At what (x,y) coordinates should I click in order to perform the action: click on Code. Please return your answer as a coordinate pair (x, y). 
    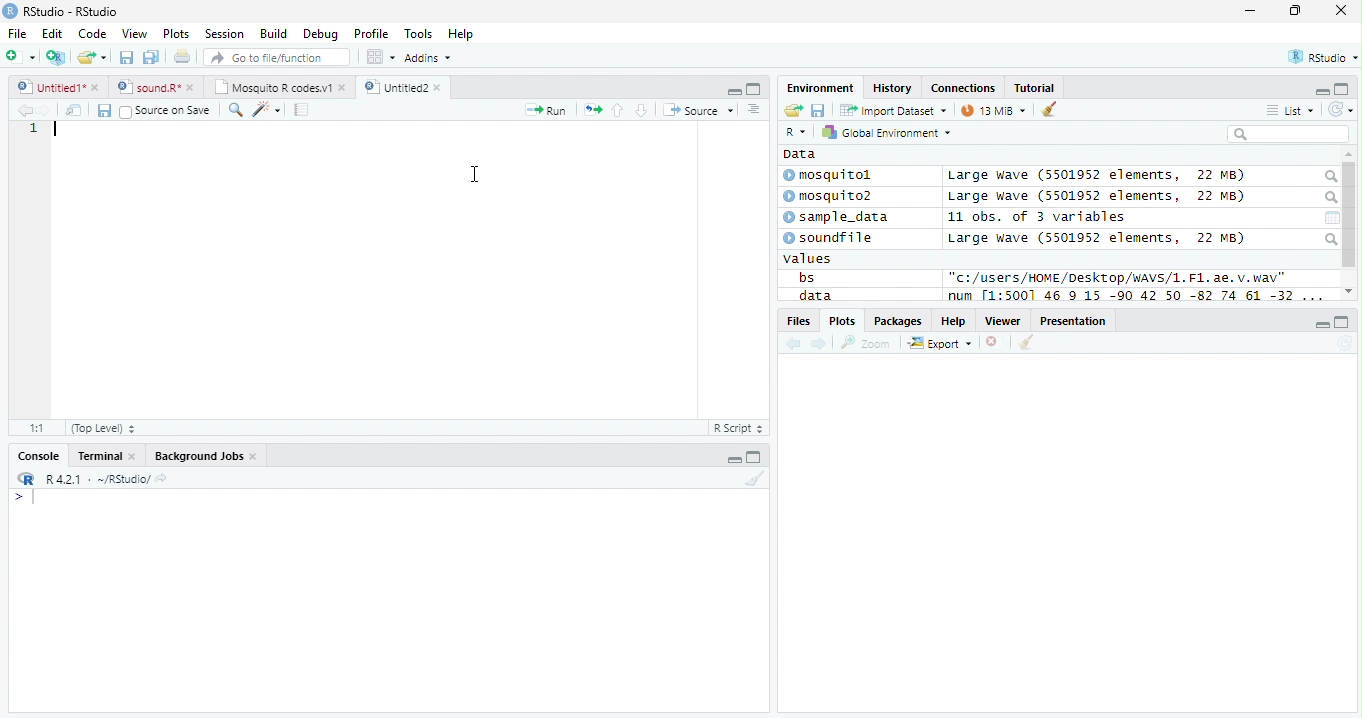
    Looking at the image, I should click on (92, 34).